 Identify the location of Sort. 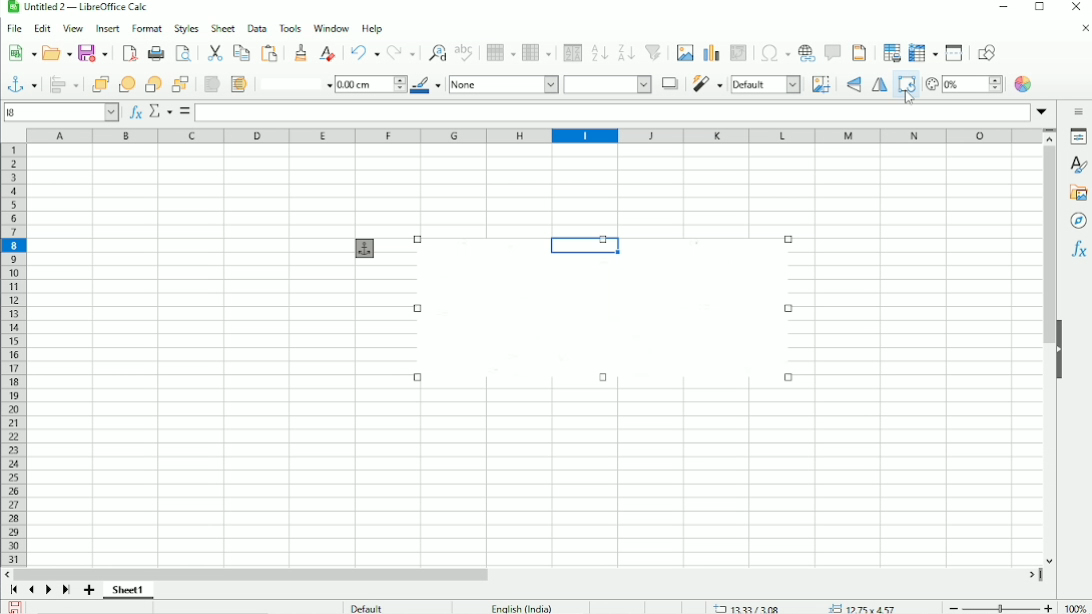
(572, 53).